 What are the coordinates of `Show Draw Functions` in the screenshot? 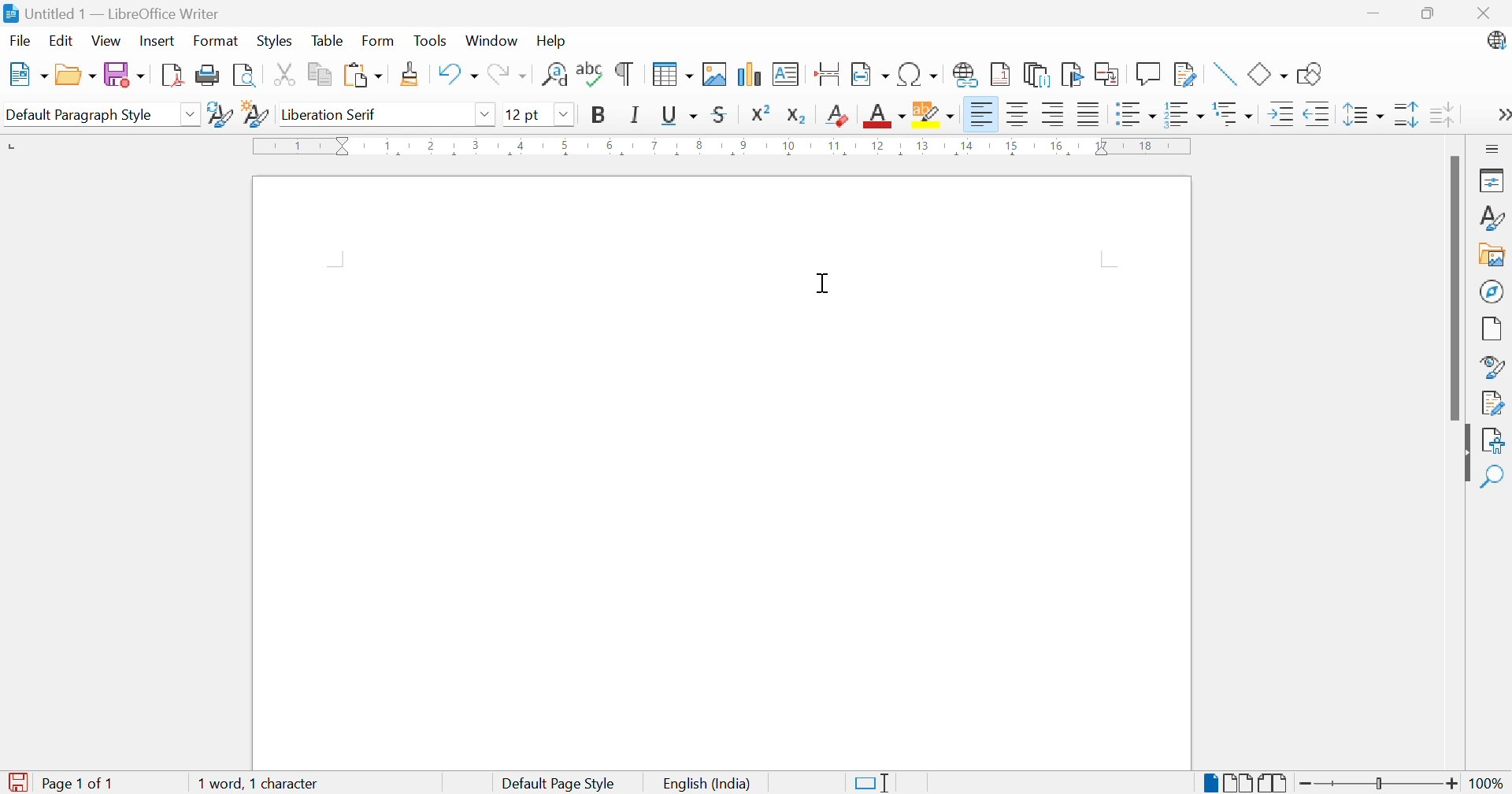 It's located at (1310, 75).